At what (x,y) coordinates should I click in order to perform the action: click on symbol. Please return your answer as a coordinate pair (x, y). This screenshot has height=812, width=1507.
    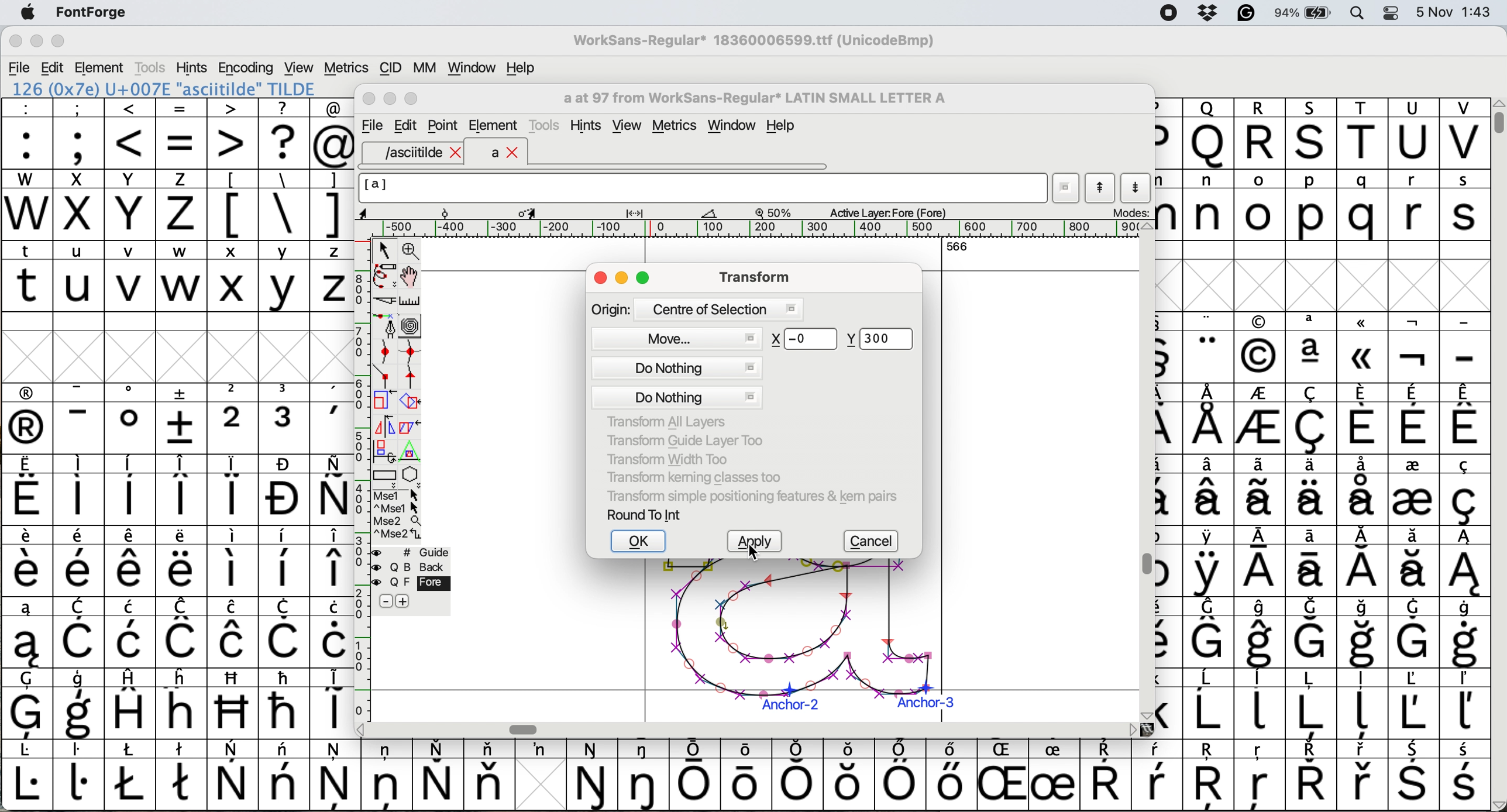
    Looking at the image, I should click on (1105, 776).